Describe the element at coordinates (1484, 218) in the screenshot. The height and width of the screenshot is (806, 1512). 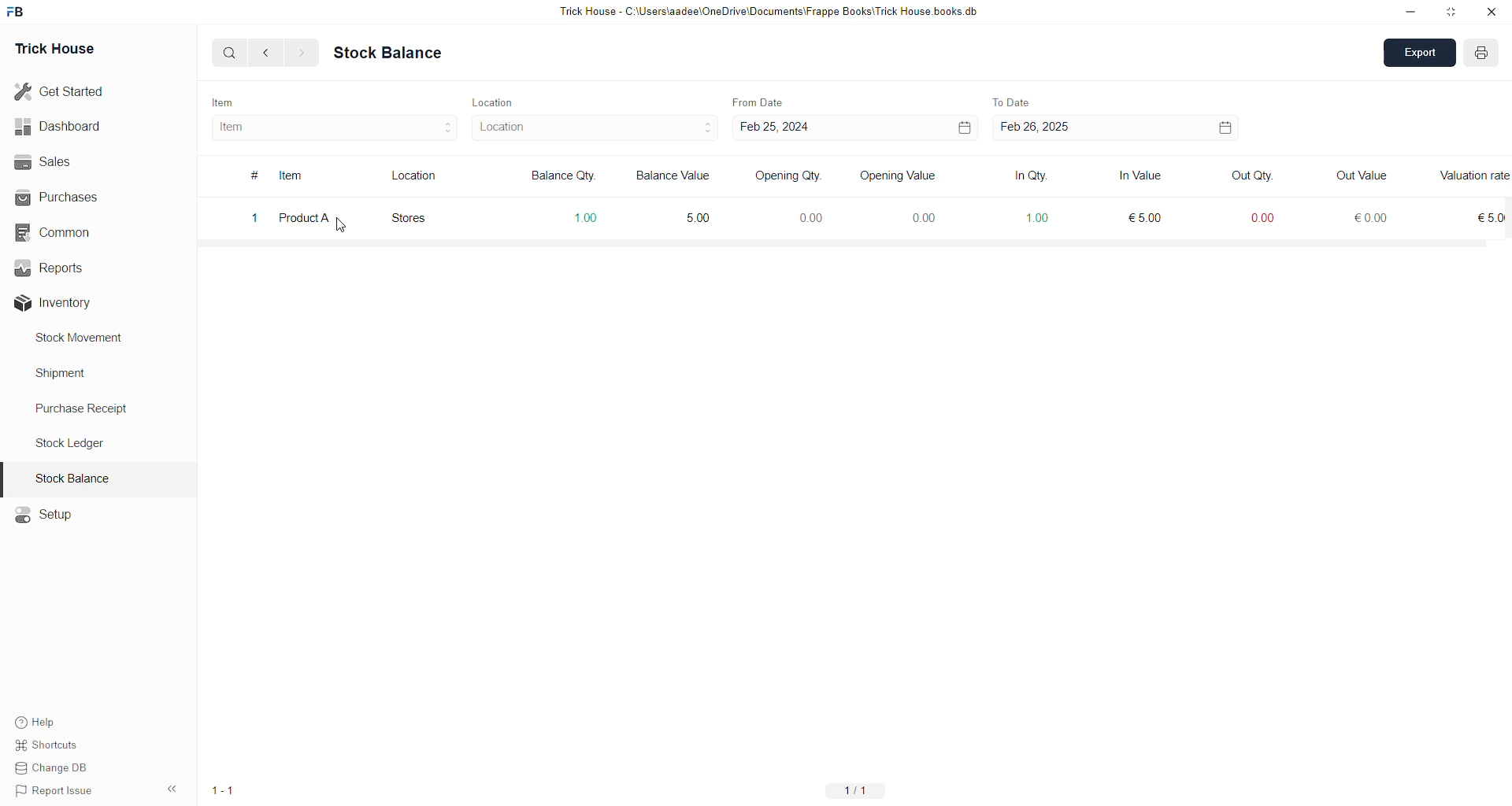
I see `5 EUR` at that location.